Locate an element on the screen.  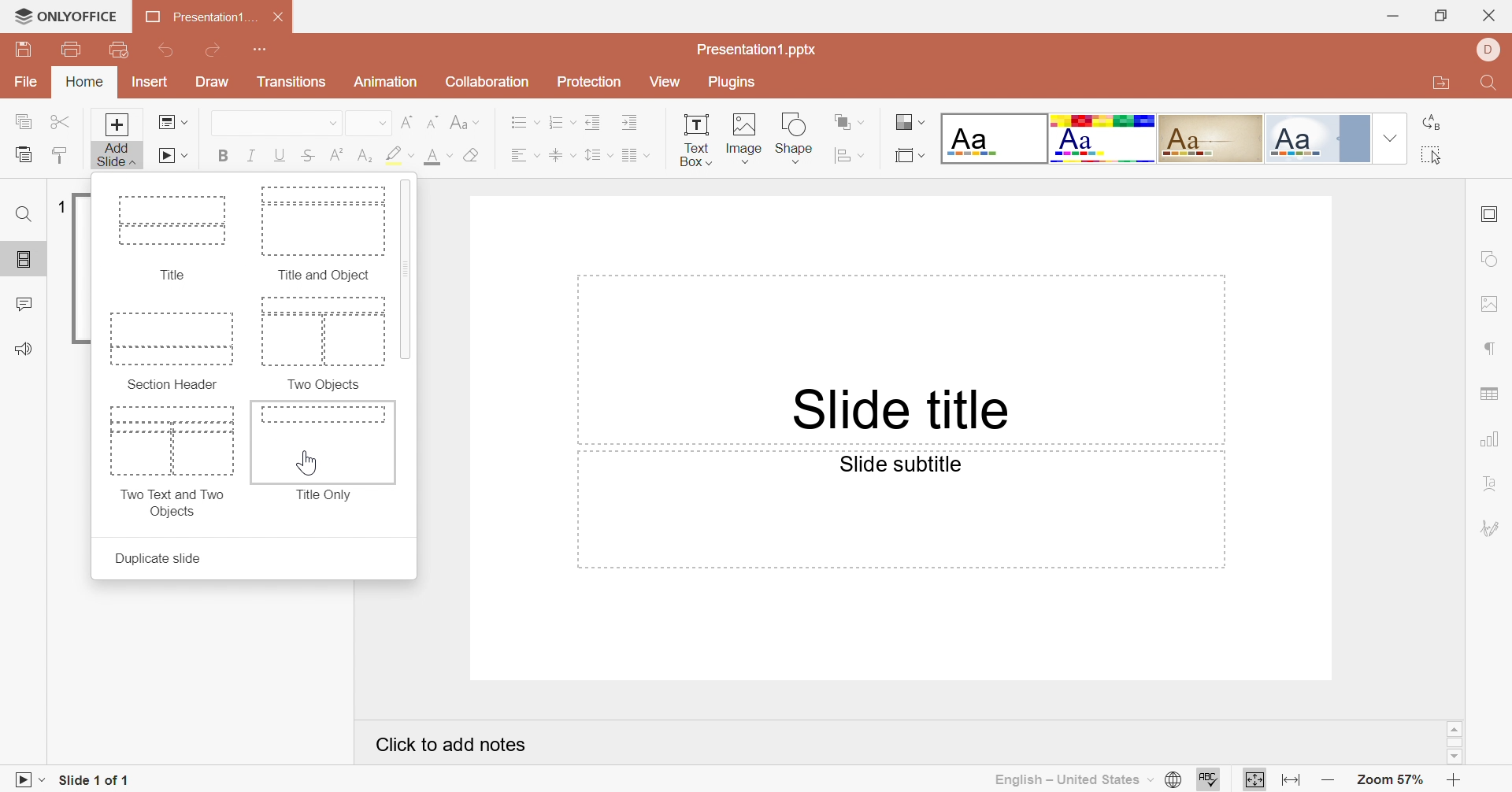
Chart settings is located at coordinates (1487, 439).